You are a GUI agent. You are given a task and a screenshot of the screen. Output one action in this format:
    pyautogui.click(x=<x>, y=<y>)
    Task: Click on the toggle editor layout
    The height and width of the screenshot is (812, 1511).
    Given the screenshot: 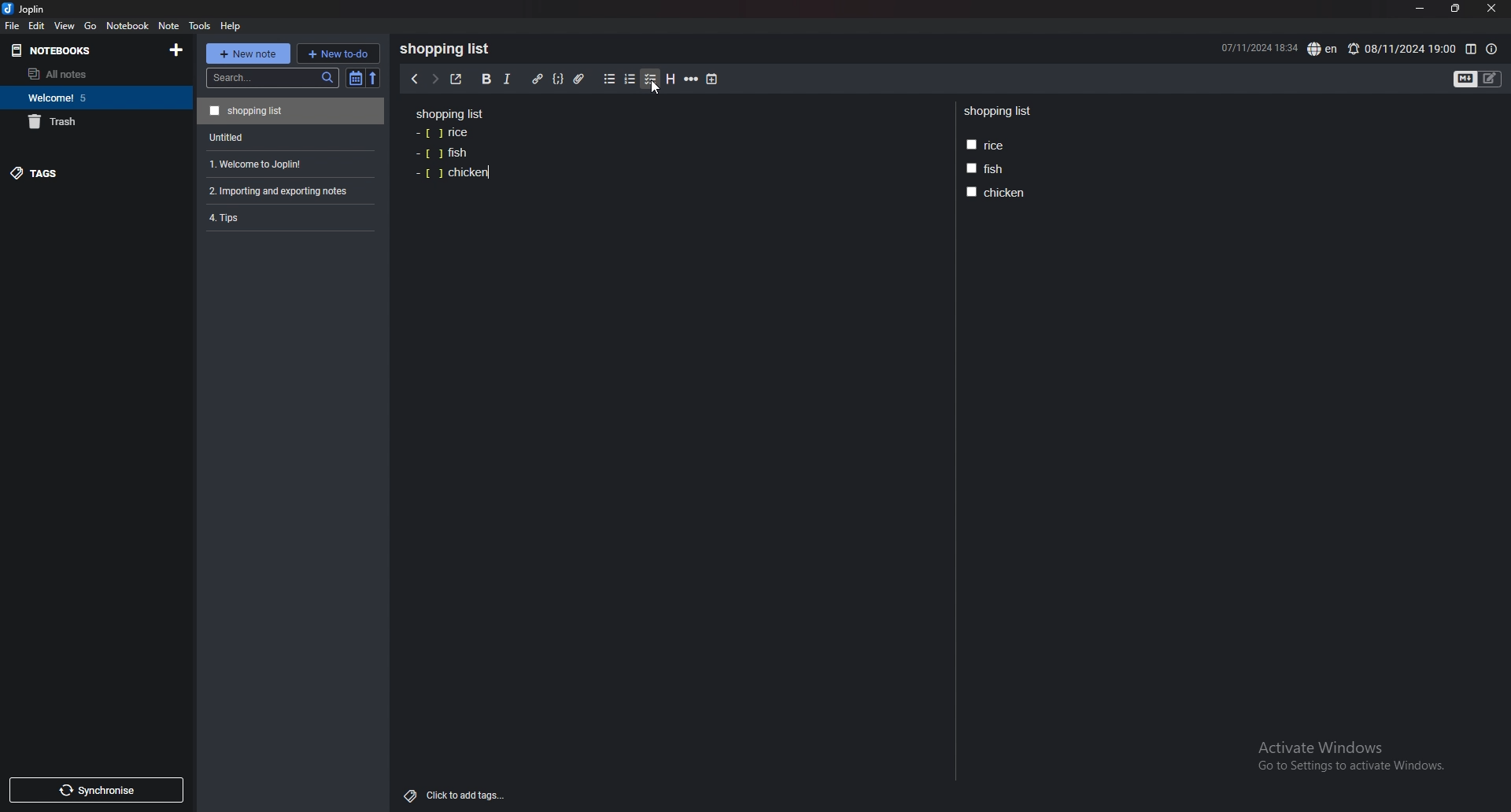 What is the action you would take?
    pyautogui.click(x=1471, y=50)
    